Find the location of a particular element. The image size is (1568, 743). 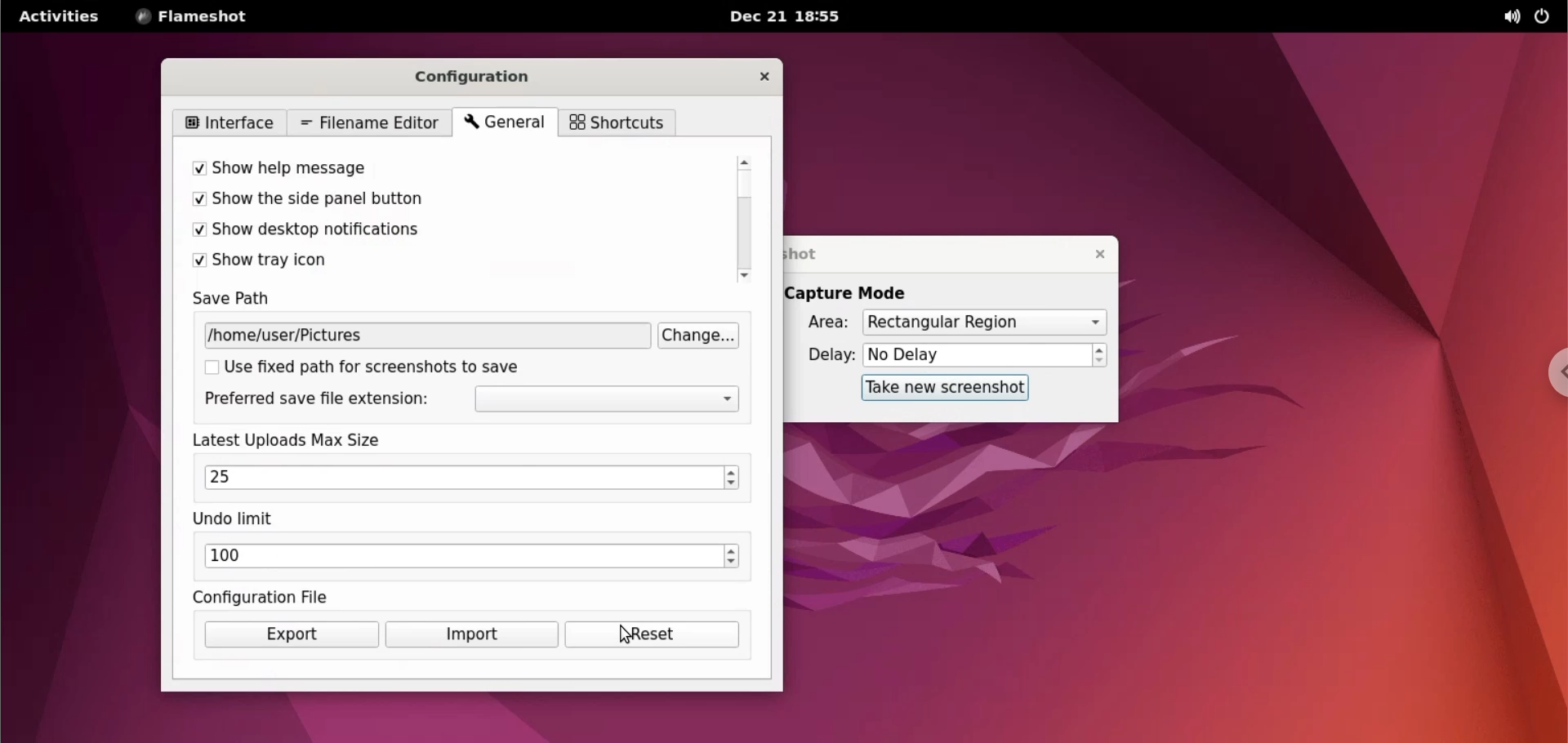

close is located at coordinates (763, 78).